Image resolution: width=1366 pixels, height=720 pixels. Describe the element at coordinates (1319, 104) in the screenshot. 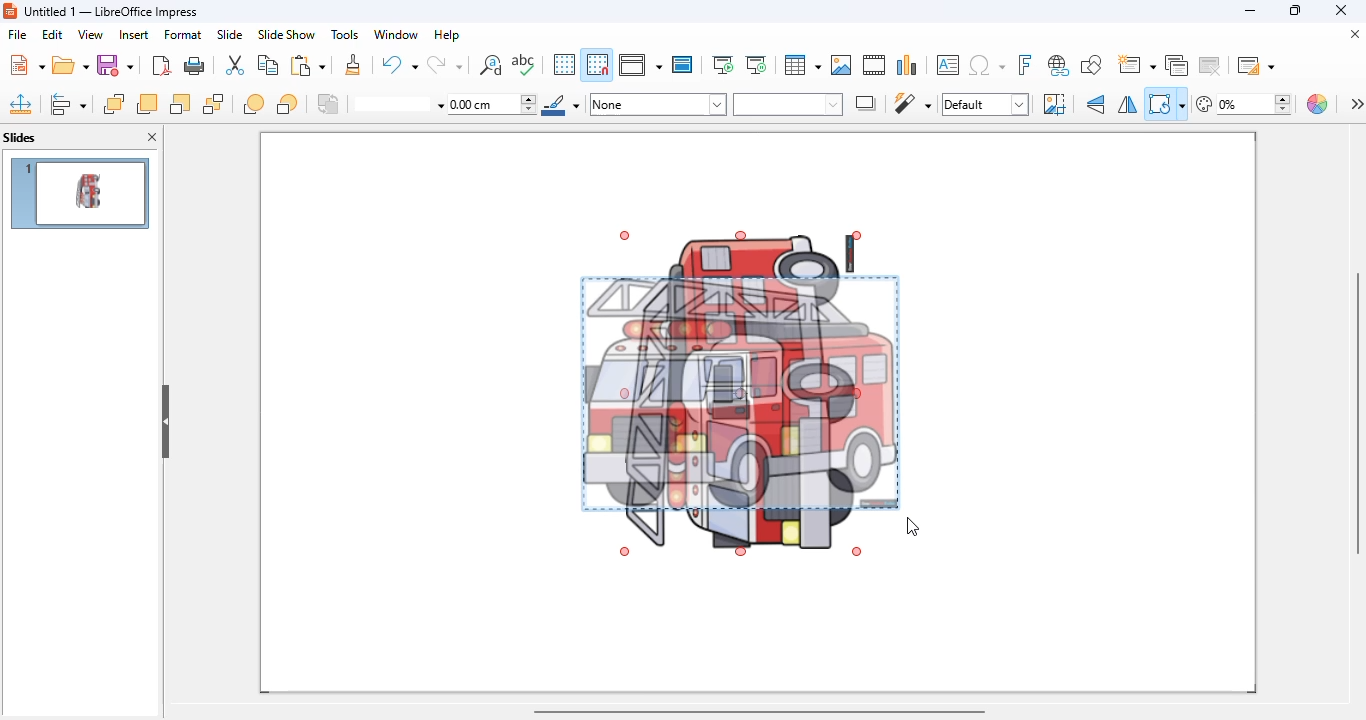

I see `color` at that location.